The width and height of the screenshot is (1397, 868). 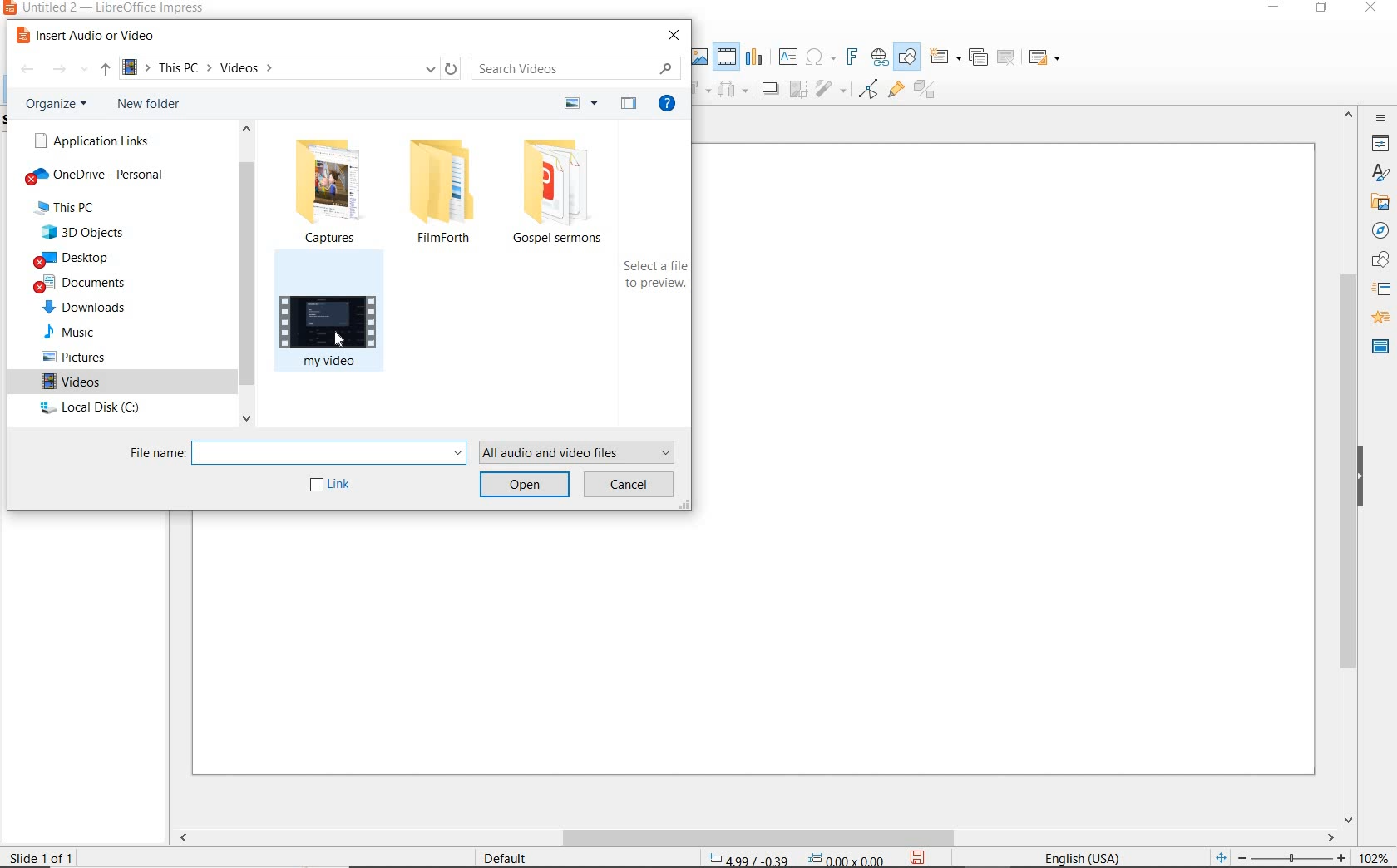 I want to click on INSERT SPECIAL CHARACTERS, so click(x=821, y=57).